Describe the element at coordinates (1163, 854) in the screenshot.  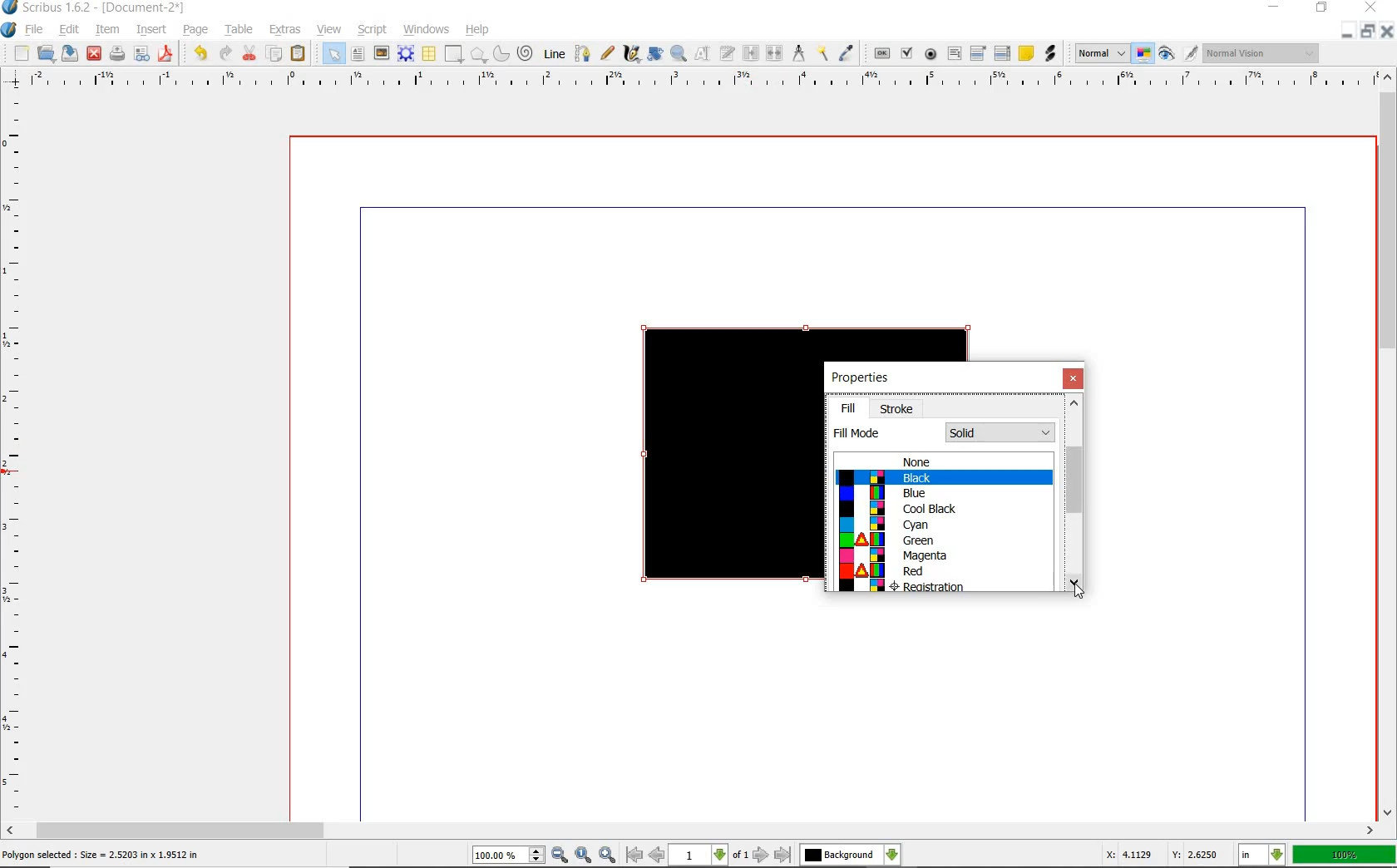
I see `X: 4.1129 Y: 2.6250` at that location.